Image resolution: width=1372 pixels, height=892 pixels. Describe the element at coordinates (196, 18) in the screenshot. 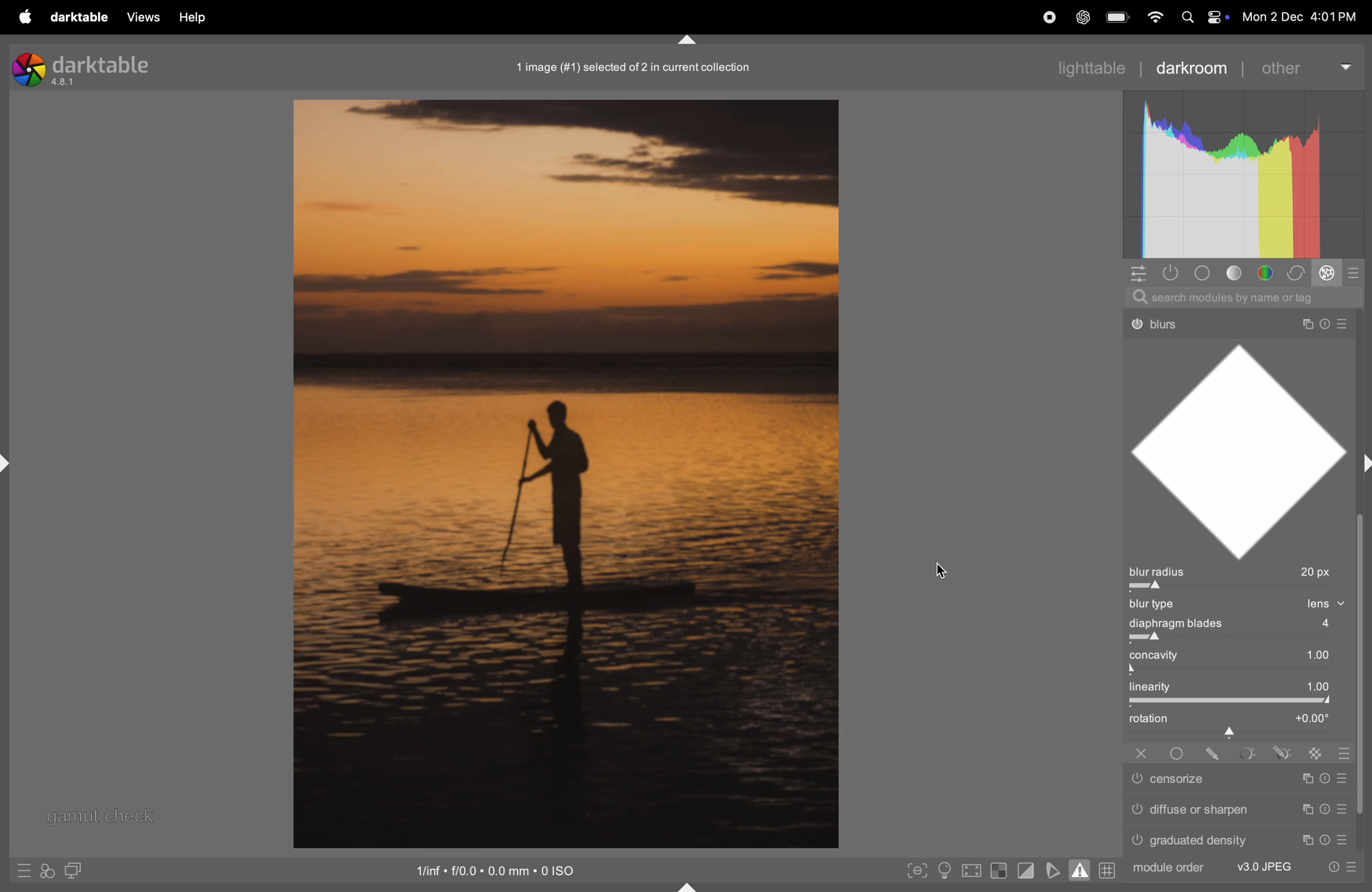

I see `help` at that location.